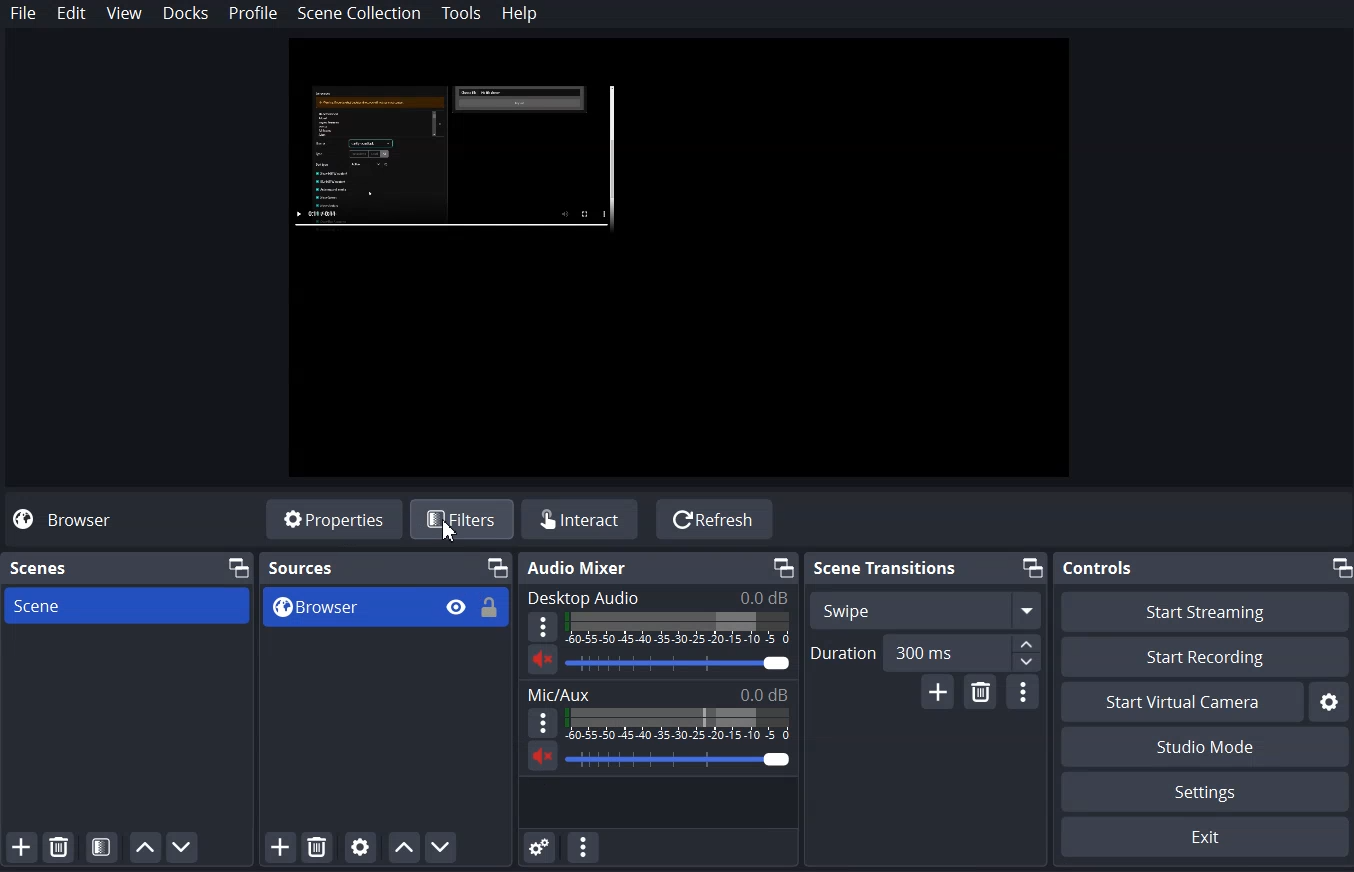  What do you see at coordinates (126, 605) in the screenshot?
I see `Scene` at bounding box center [126, 605].